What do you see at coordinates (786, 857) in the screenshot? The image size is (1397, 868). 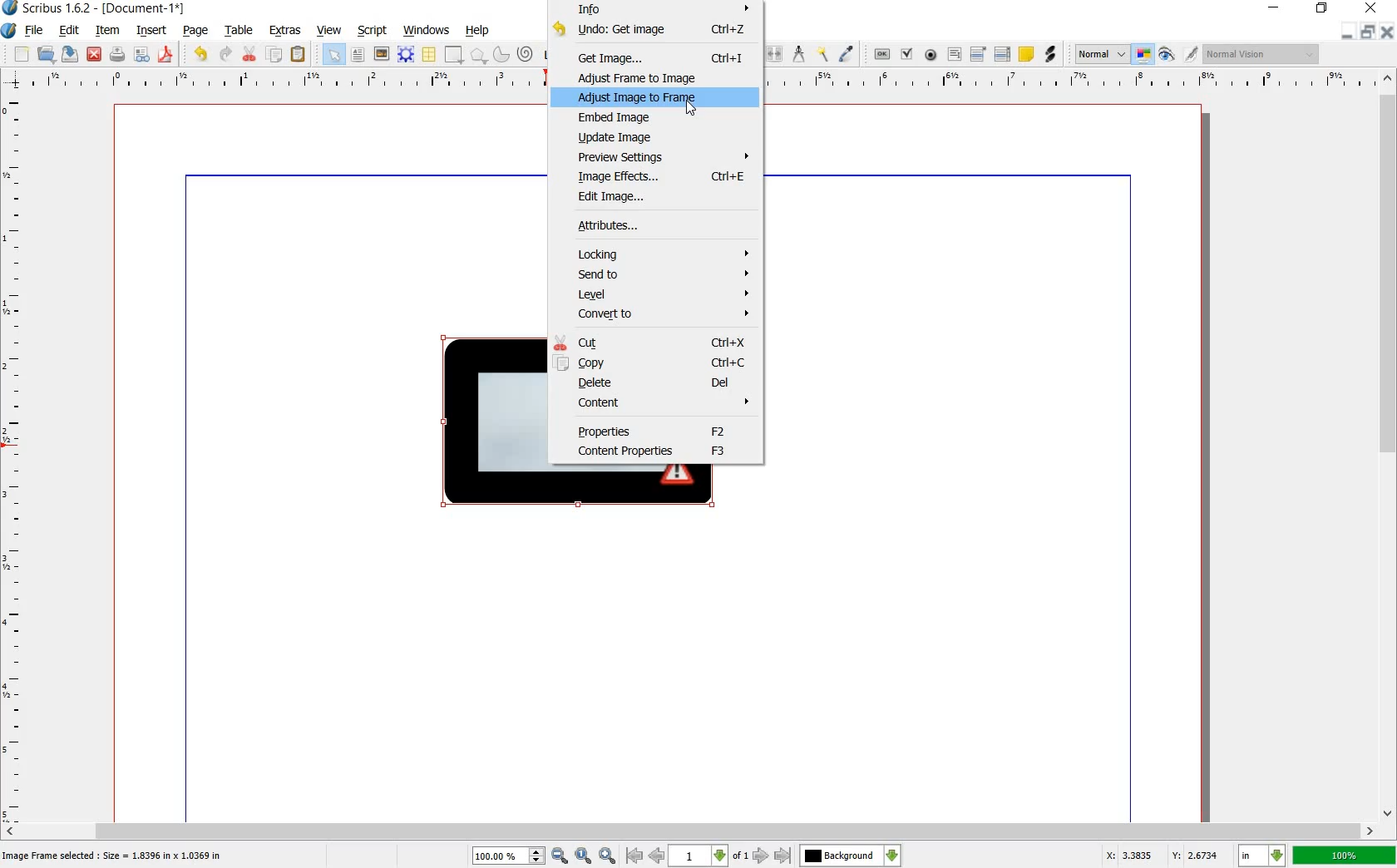 I see `move to over-next page` at bounding box center [786, 857].